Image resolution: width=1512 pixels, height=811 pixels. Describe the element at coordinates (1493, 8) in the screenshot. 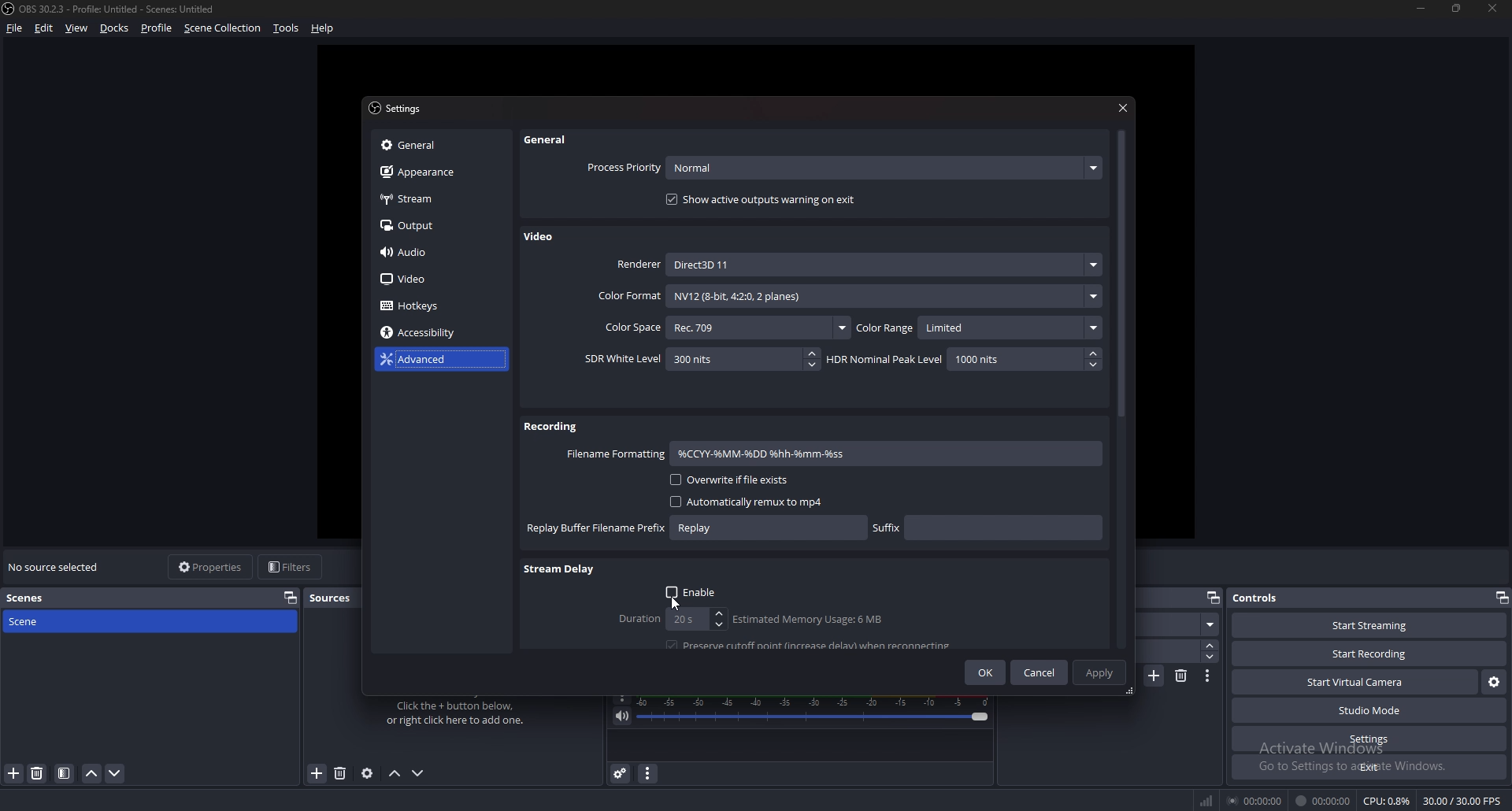

I see `close` at that location.